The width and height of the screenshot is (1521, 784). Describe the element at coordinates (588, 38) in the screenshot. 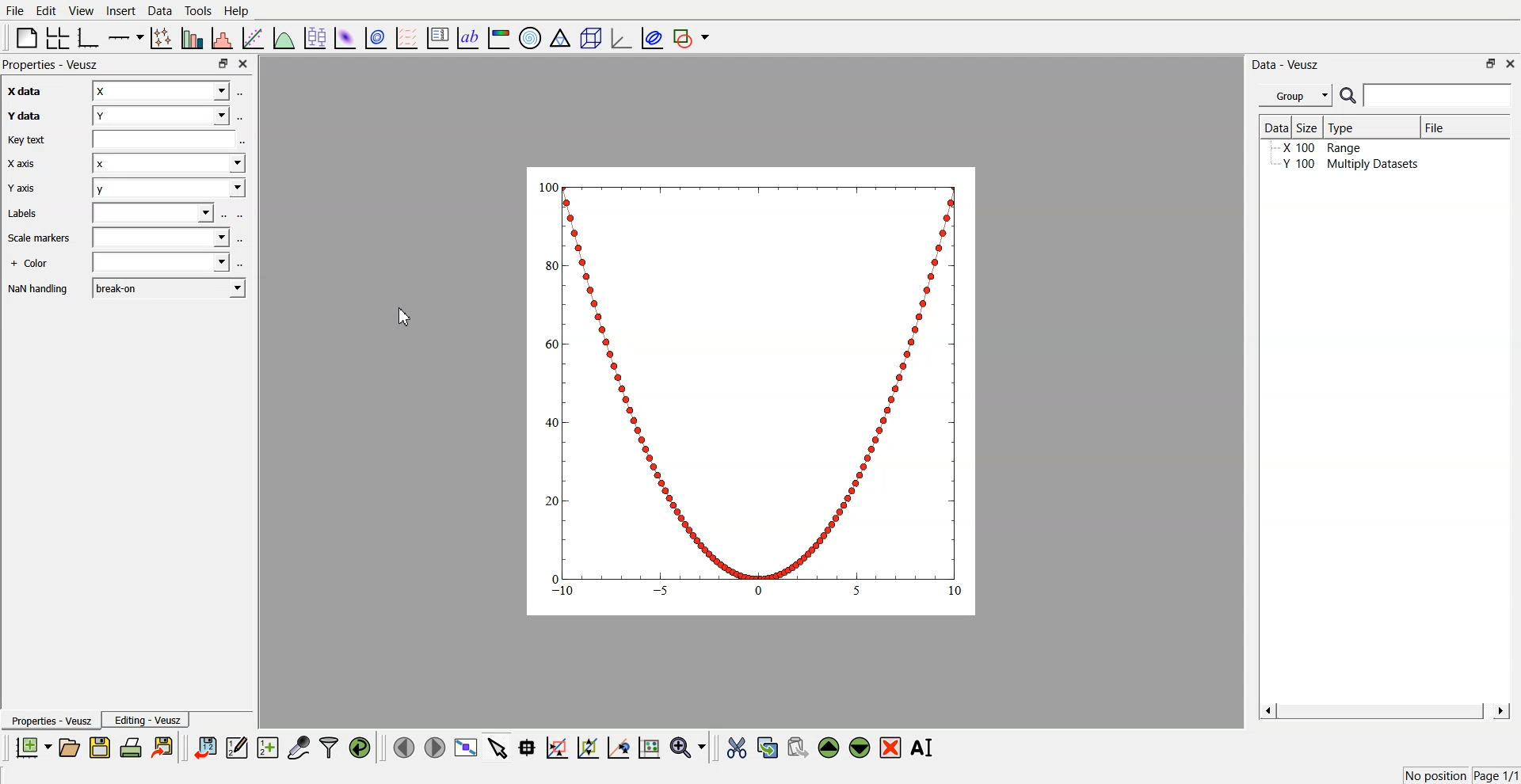

I see `3d shapes` at that location.